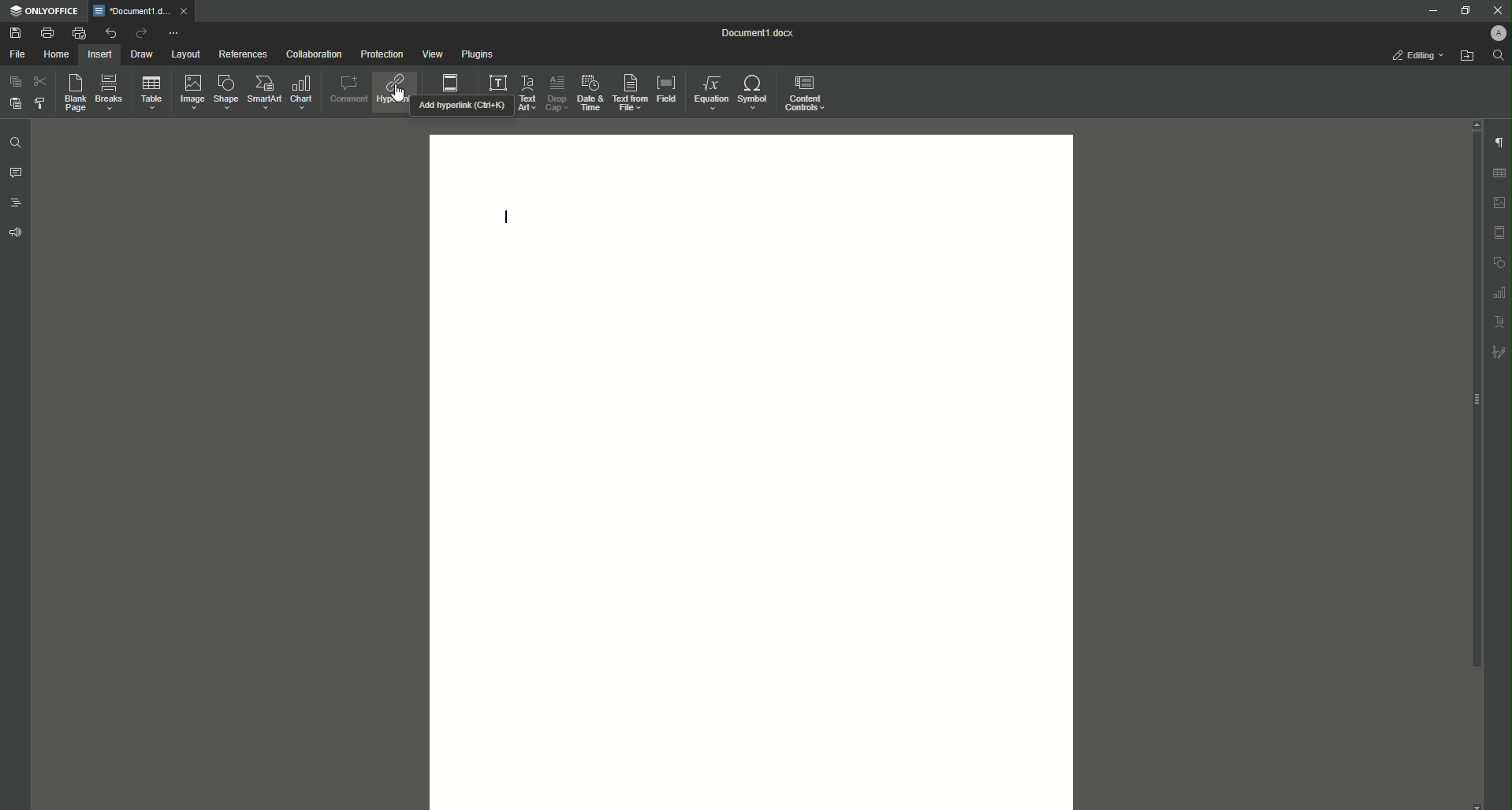 Image resolution: width=1512 pixels, height=810 pixels. What do you see at coordinates (762, 32) in the screenshot?
I see `Document1.docx` at bounding box center [762, 32].